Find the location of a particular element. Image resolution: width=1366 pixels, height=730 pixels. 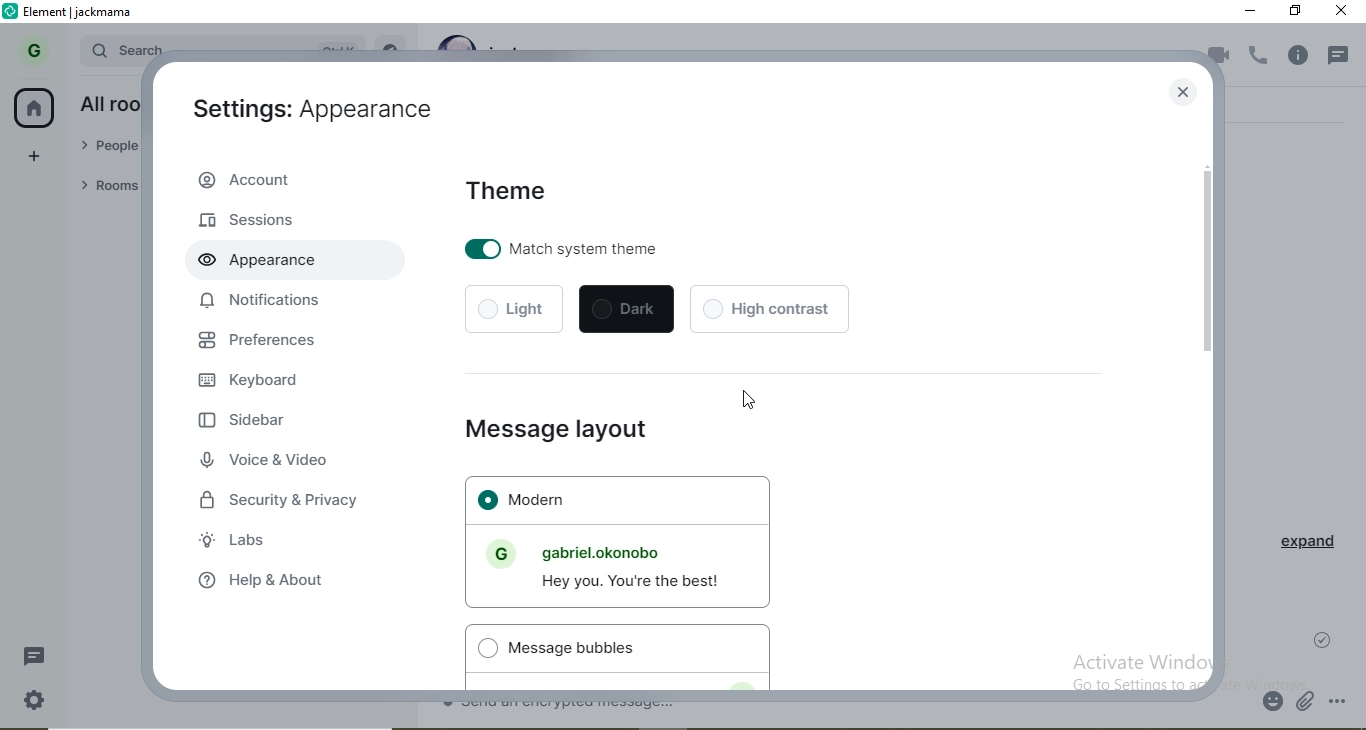

chat box is located at coordinates (847, 709).